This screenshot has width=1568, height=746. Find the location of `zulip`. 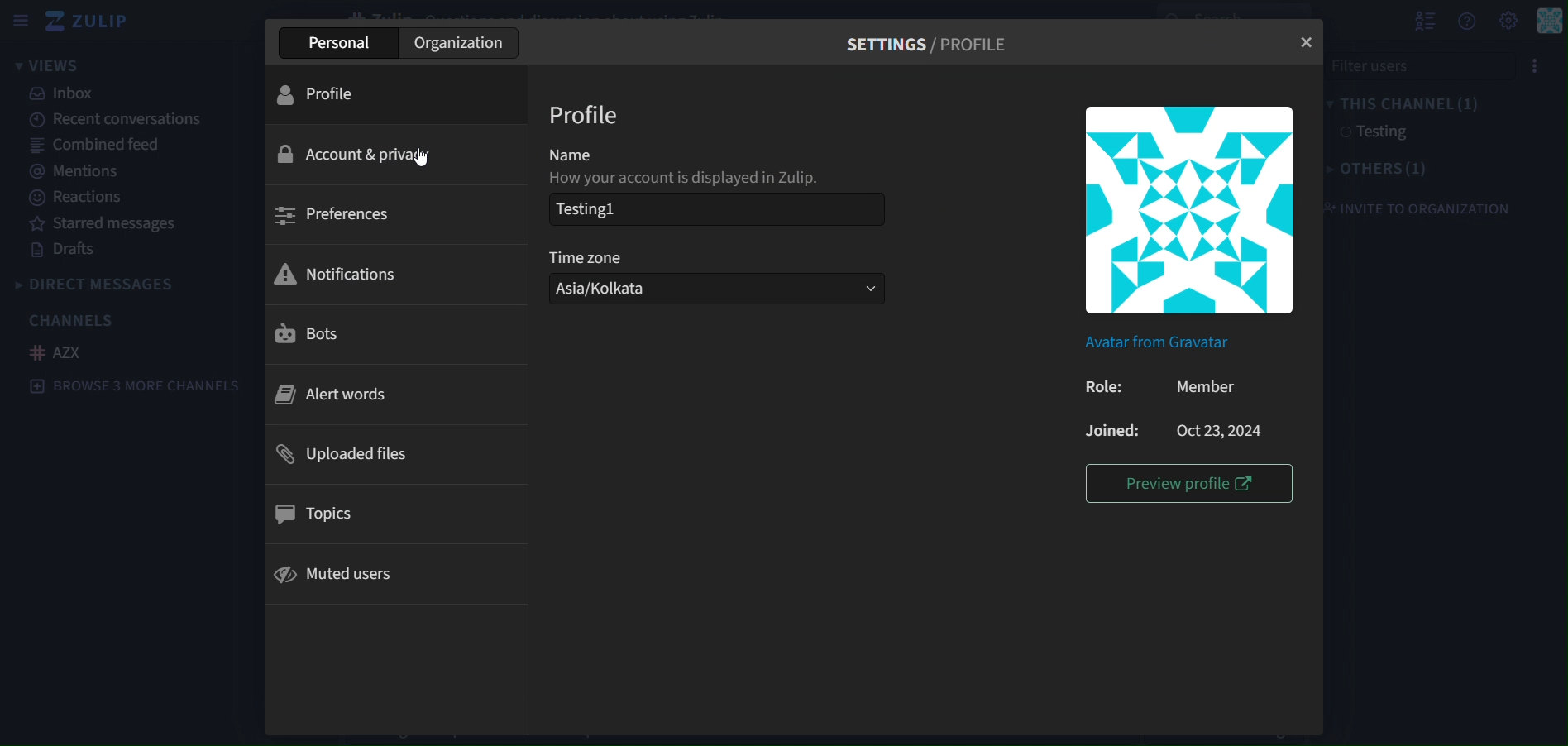

zulip is located at coordinates (87, 21).